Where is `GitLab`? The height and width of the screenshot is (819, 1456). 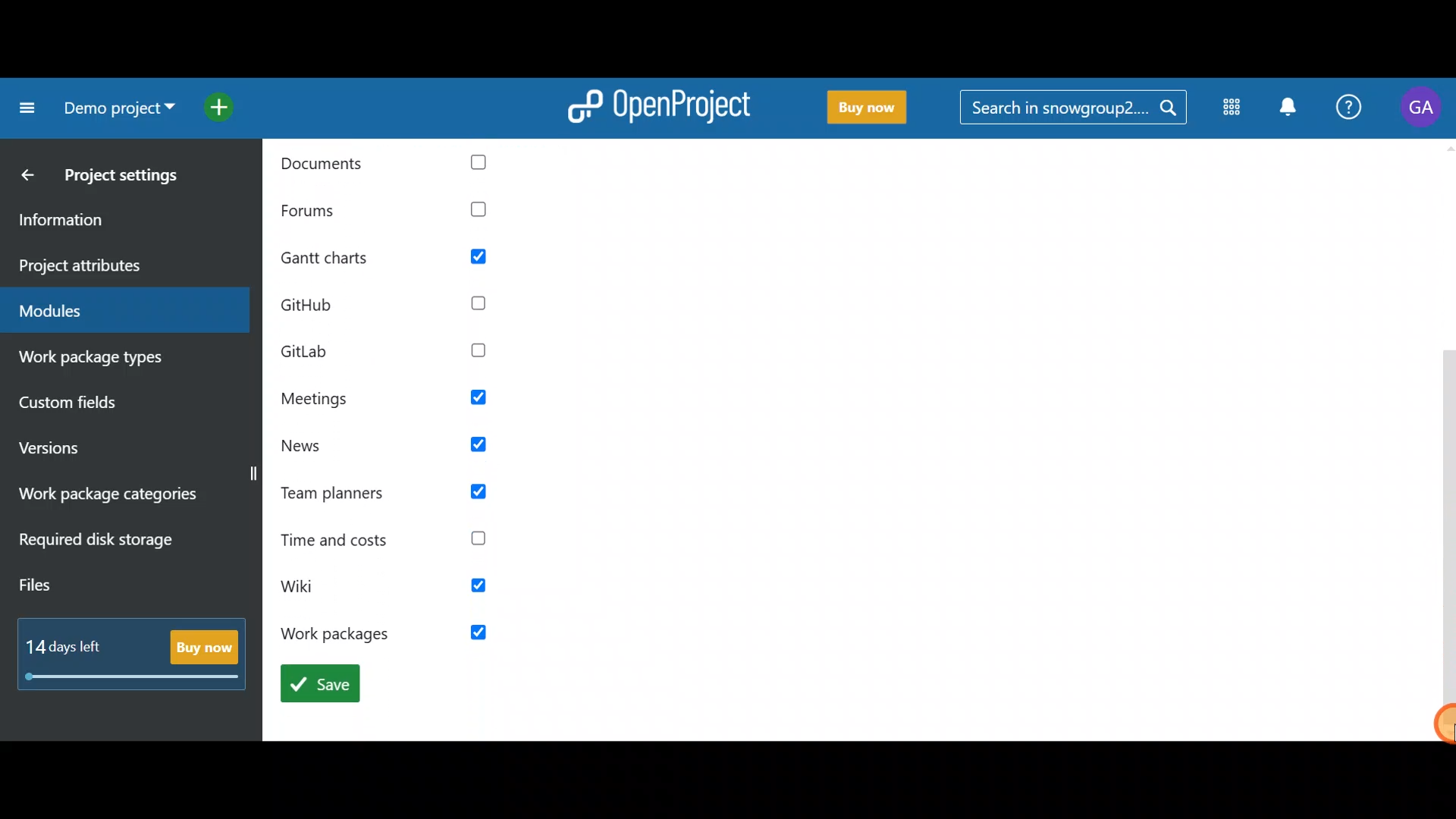
GitLab is located at coordinates (392, 350).